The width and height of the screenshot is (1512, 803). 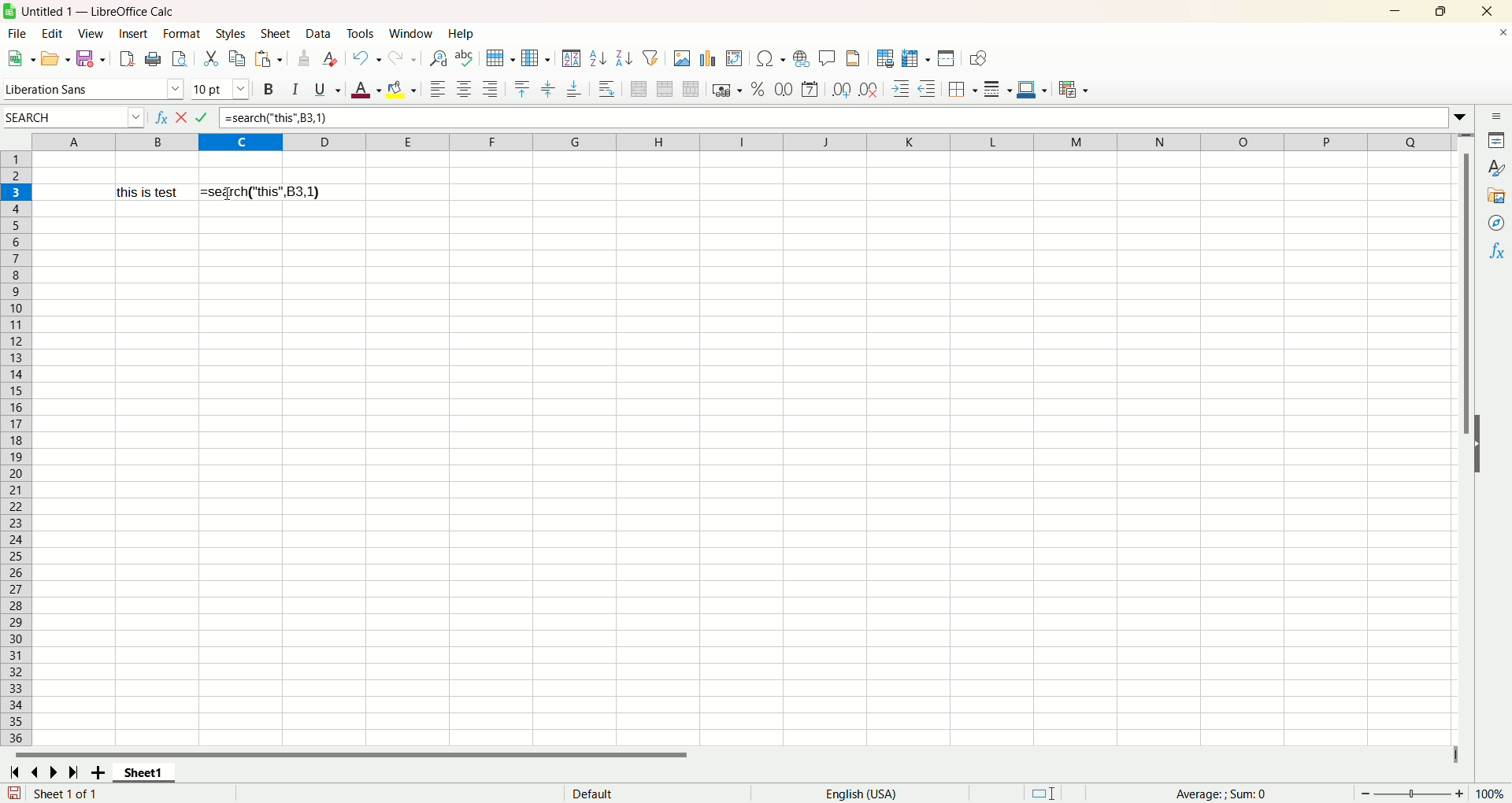 I want to click on next sheet, so click(x=51, y=773).